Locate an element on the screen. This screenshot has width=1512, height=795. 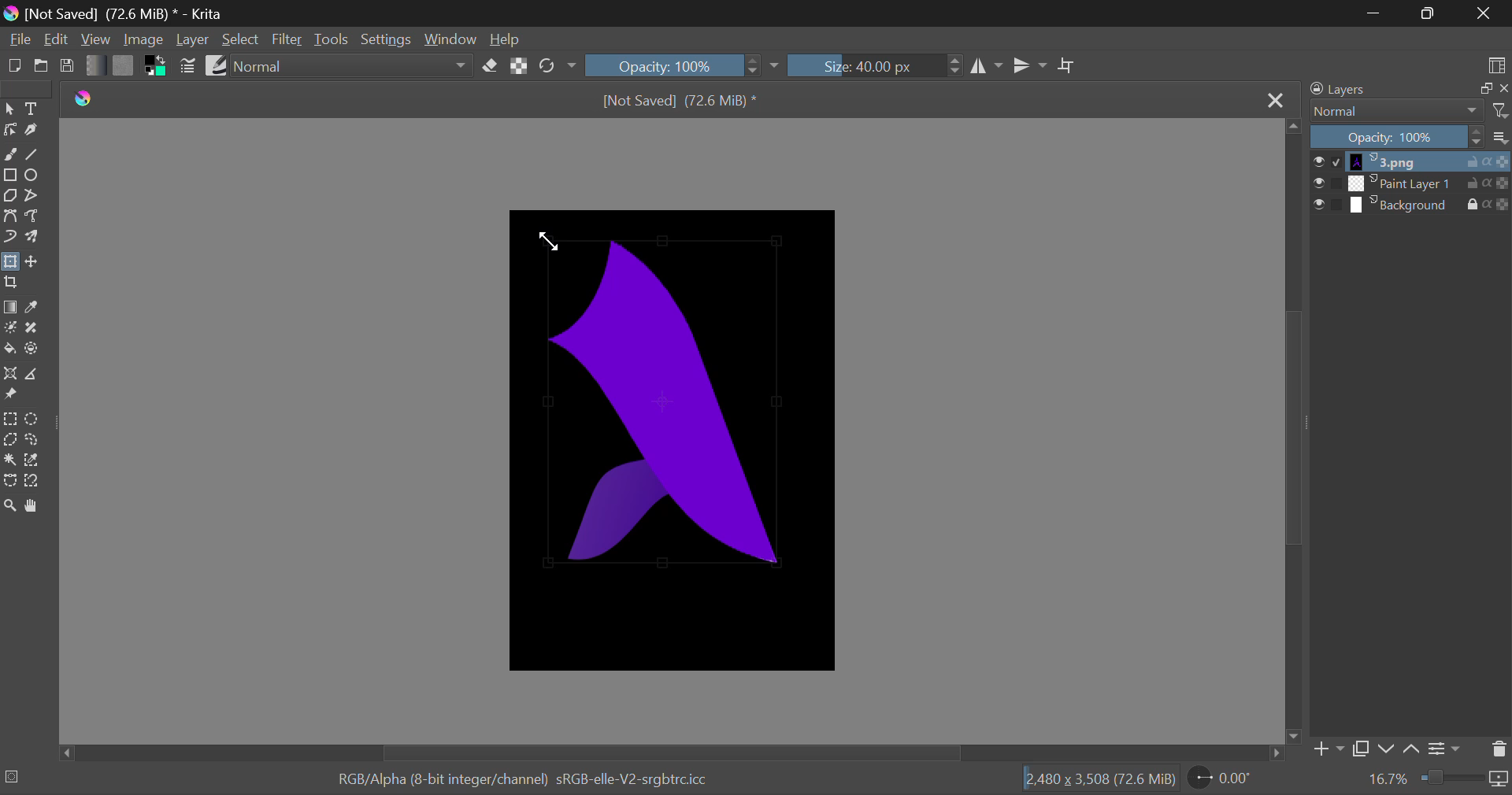
Calligraphic Tool is located at coordinates (35, 134).